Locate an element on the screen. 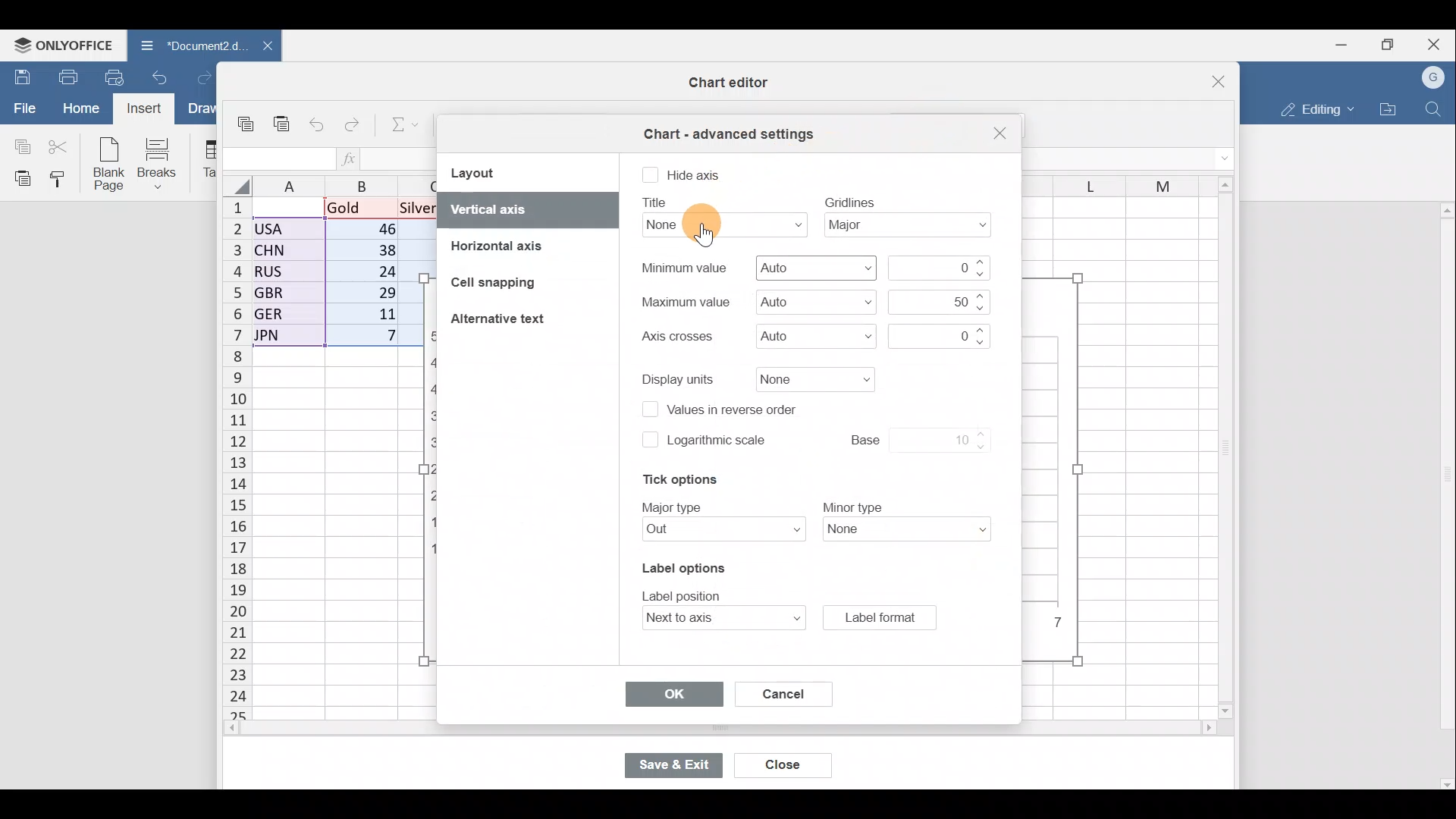 The width and height of the screenshot is (1456, 819). checkbox is located at coordinates (648, 411).